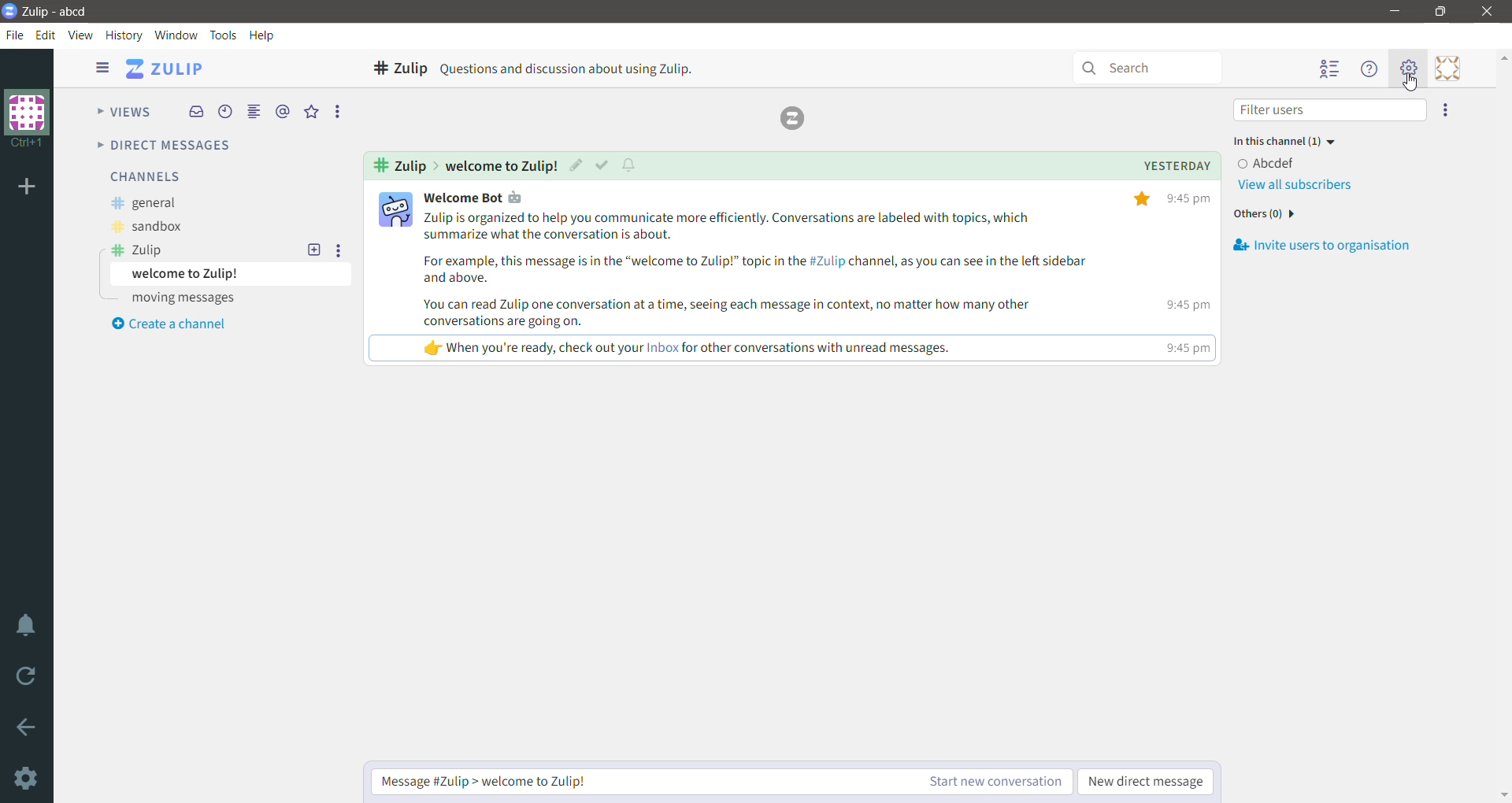 This screenshot has height=803, width=1512. Describe the element at coordinates (80, 35) in the screenshot. I see `View` at that location.